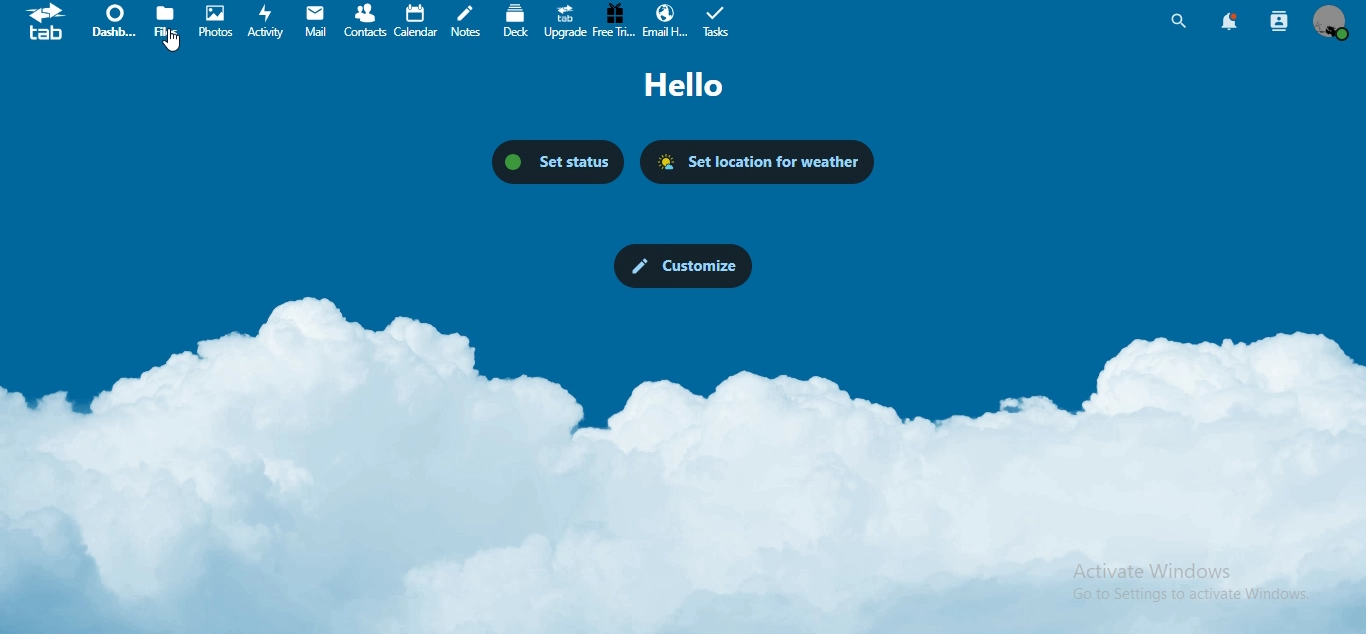 This screenshot has height=634, width=1366. What do you see at coordinates (615, 23) in the screenshot?
I see `free email` at bounding box center [615, 23].